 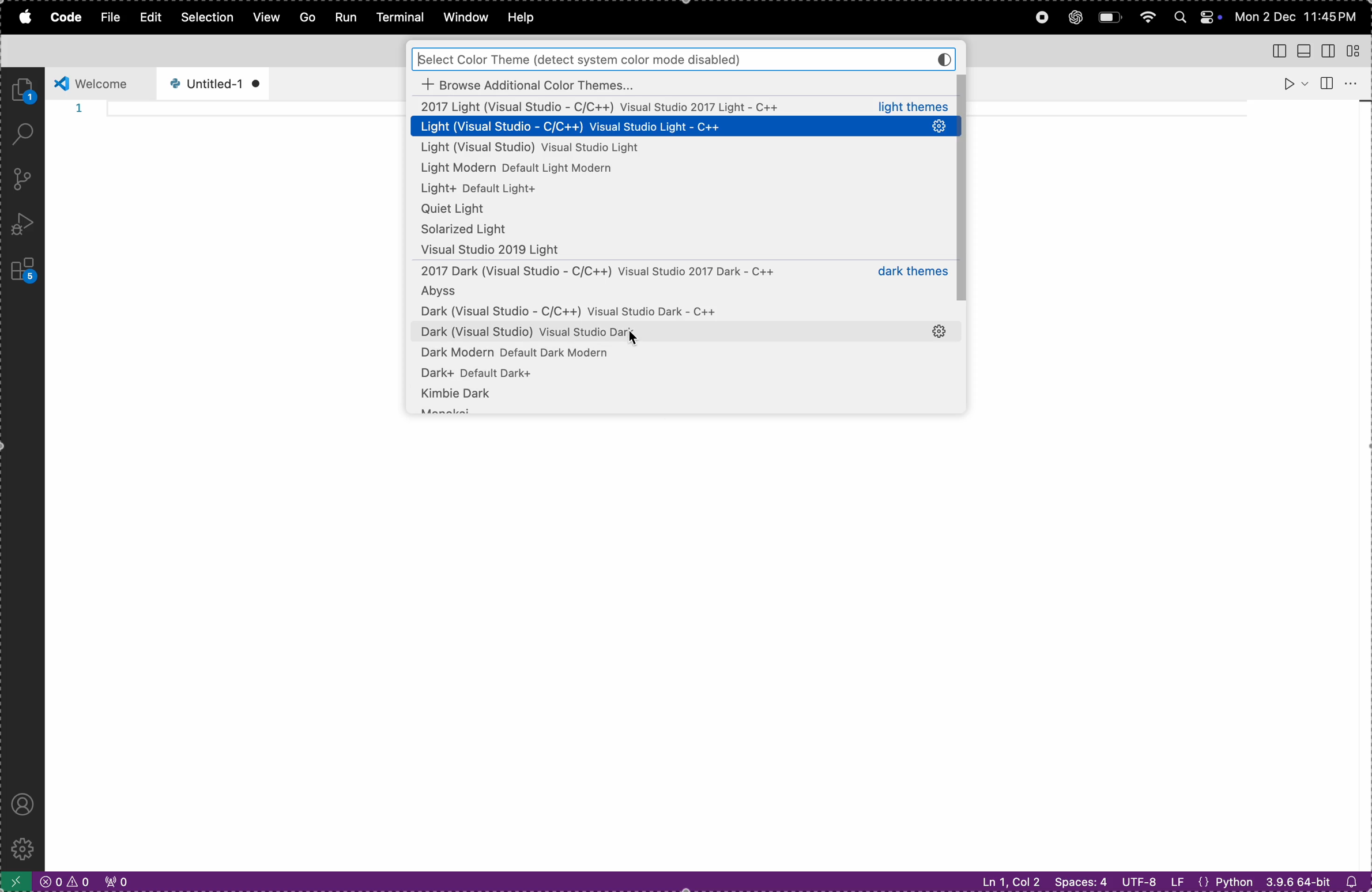 I want to click on solarized light, so click(x=682, y=230).